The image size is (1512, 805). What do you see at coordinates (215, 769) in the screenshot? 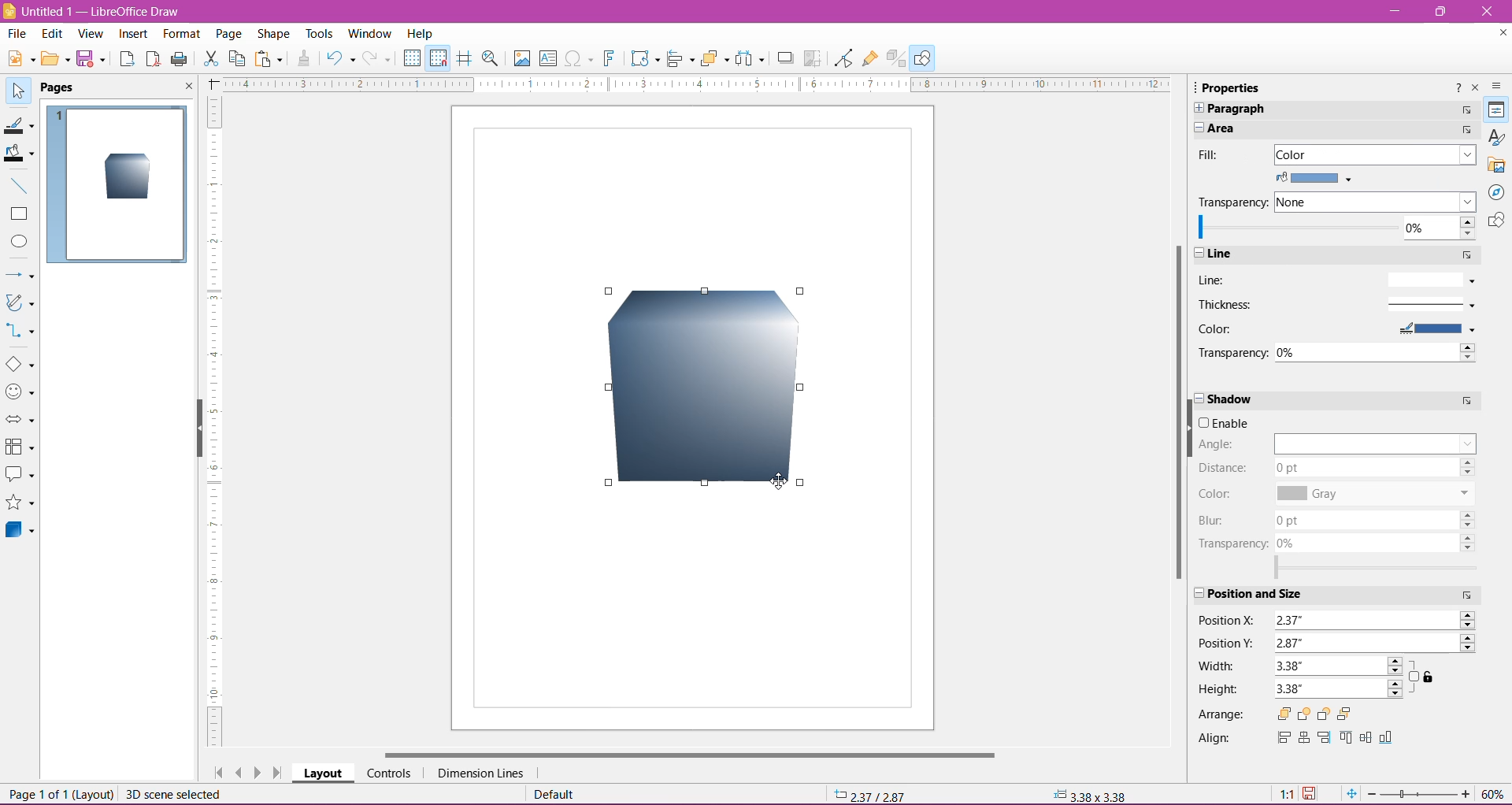
I see `Scroll to first page` at bounding box center [215, 769].